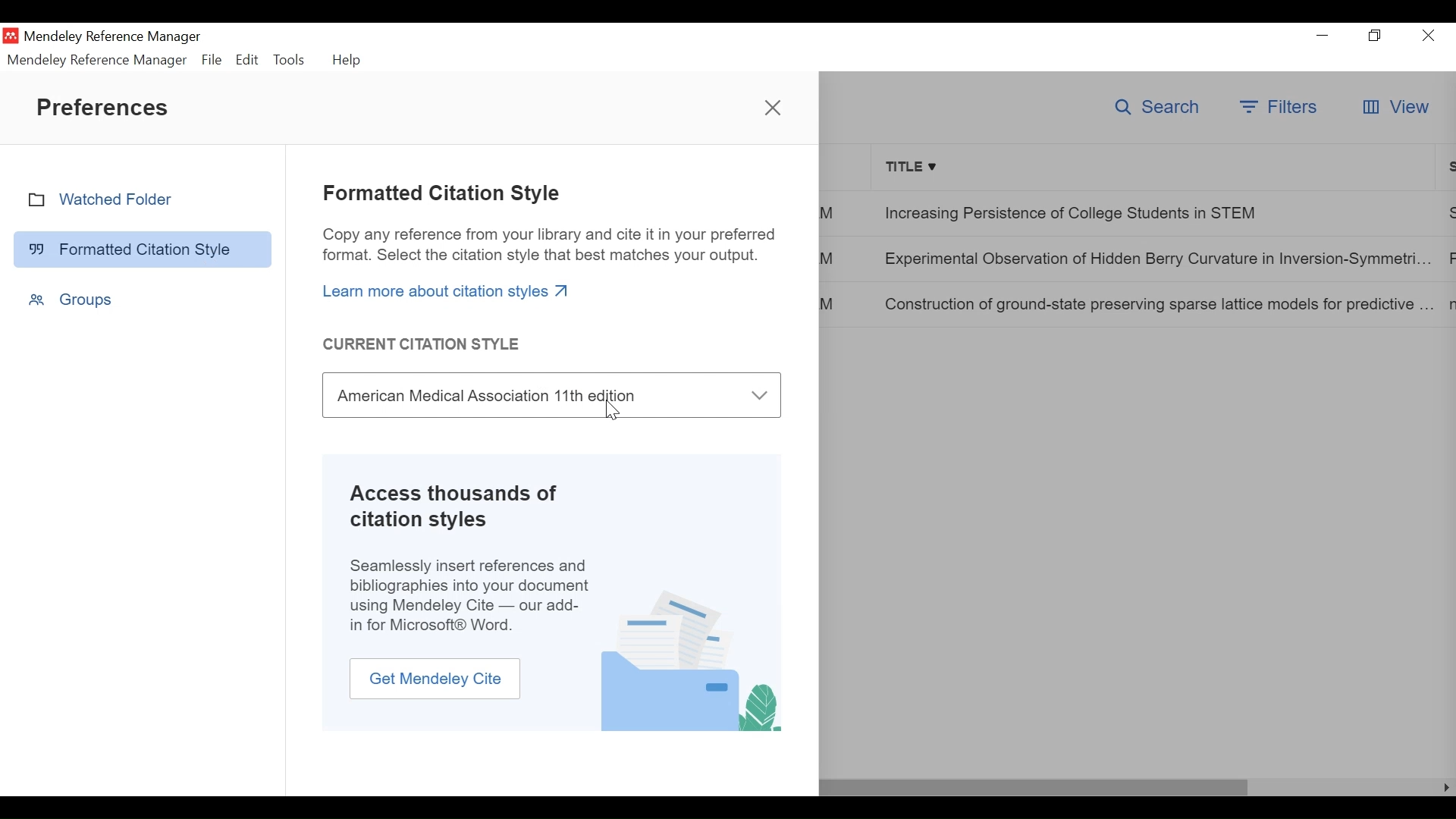  I want to click on Current Citation Style Field, so click(552, 395).